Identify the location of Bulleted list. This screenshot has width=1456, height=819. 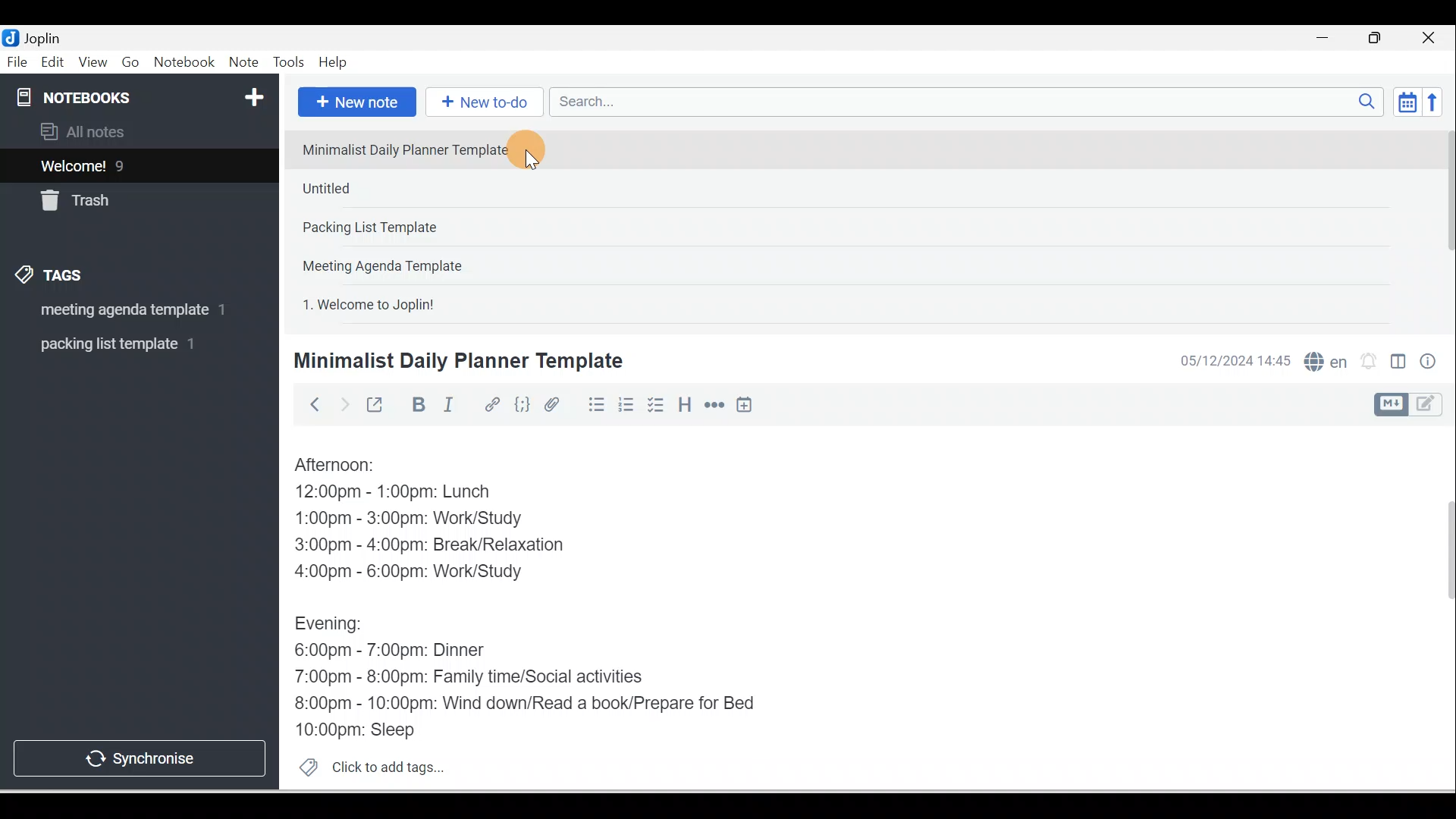
(593, 404).